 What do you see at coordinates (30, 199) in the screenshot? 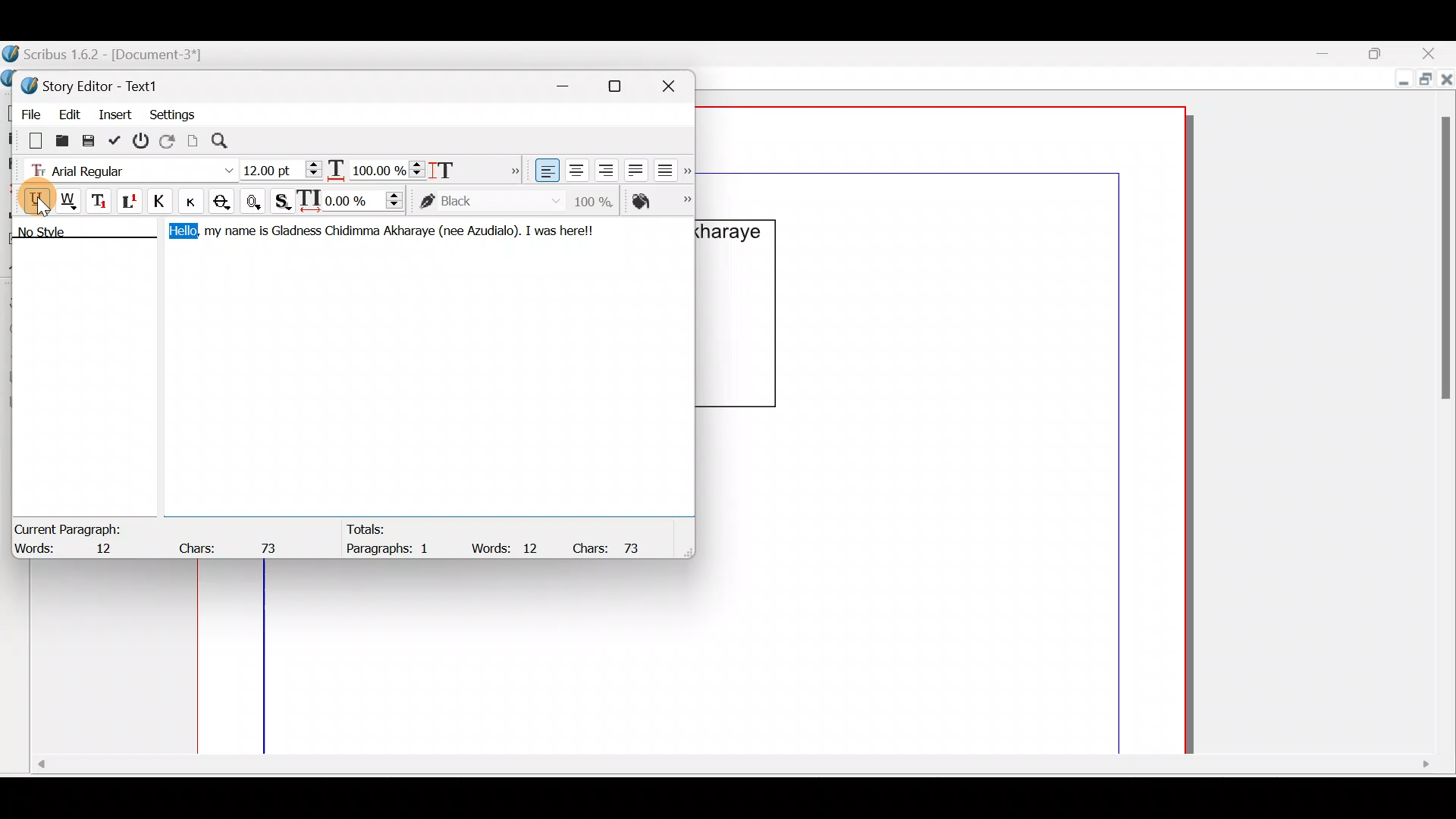
I see `Underline` at bounding box center [30, 199].